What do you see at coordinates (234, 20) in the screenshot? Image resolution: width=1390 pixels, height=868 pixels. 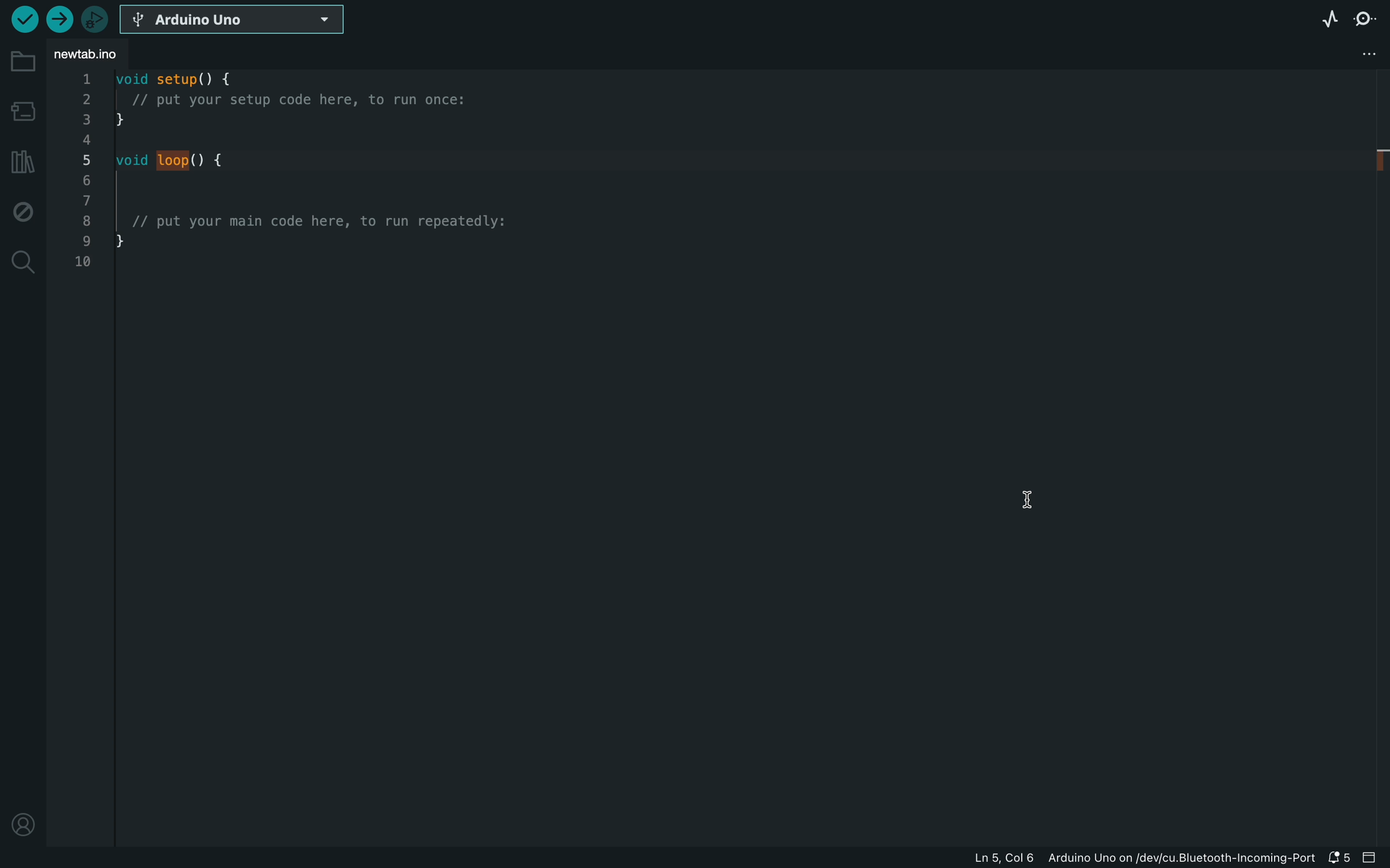 I see `board selecter` at bounding box center [234, 20].